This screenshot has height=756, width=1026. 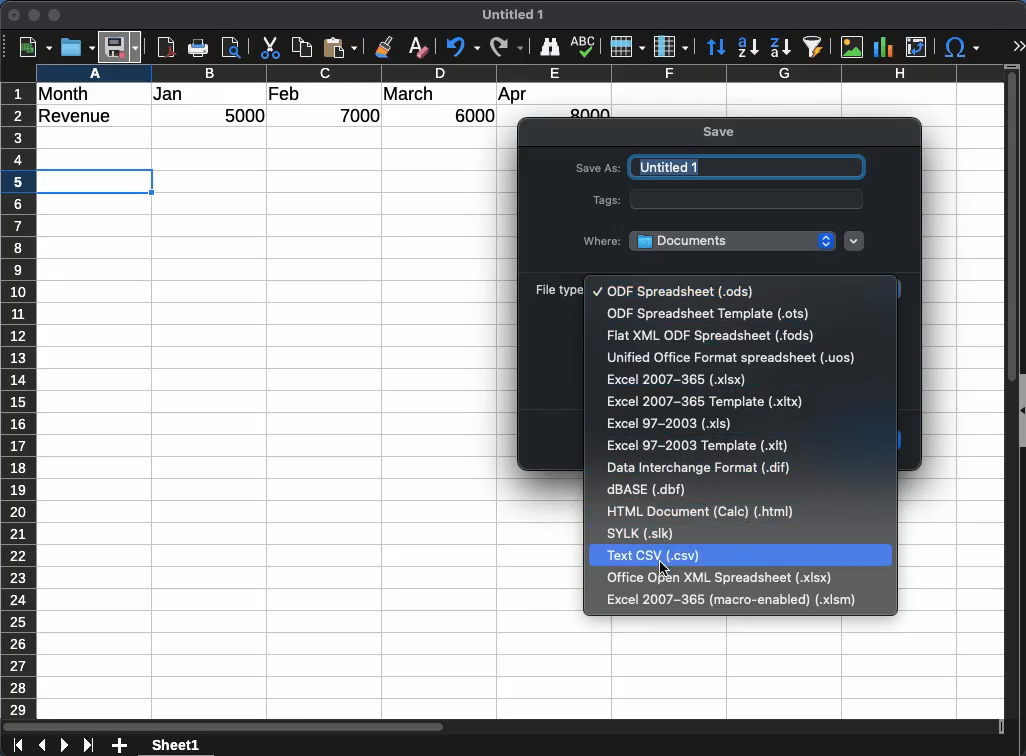 I want to click on Save, so click(x=123, y=44).